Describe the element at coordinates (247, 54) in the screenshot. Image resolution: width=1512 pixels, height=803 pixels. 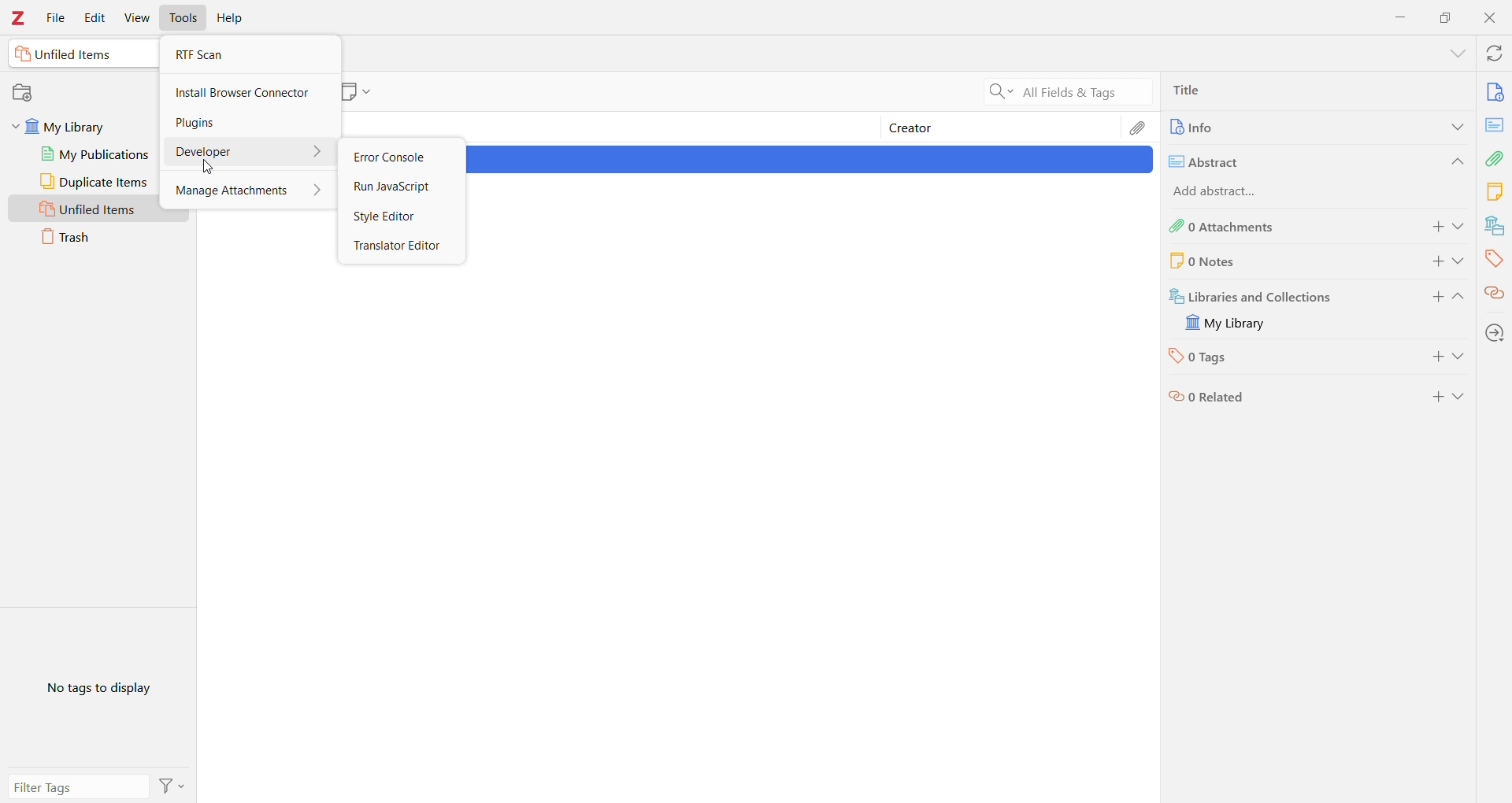
I see `RTF Scan` at that location.